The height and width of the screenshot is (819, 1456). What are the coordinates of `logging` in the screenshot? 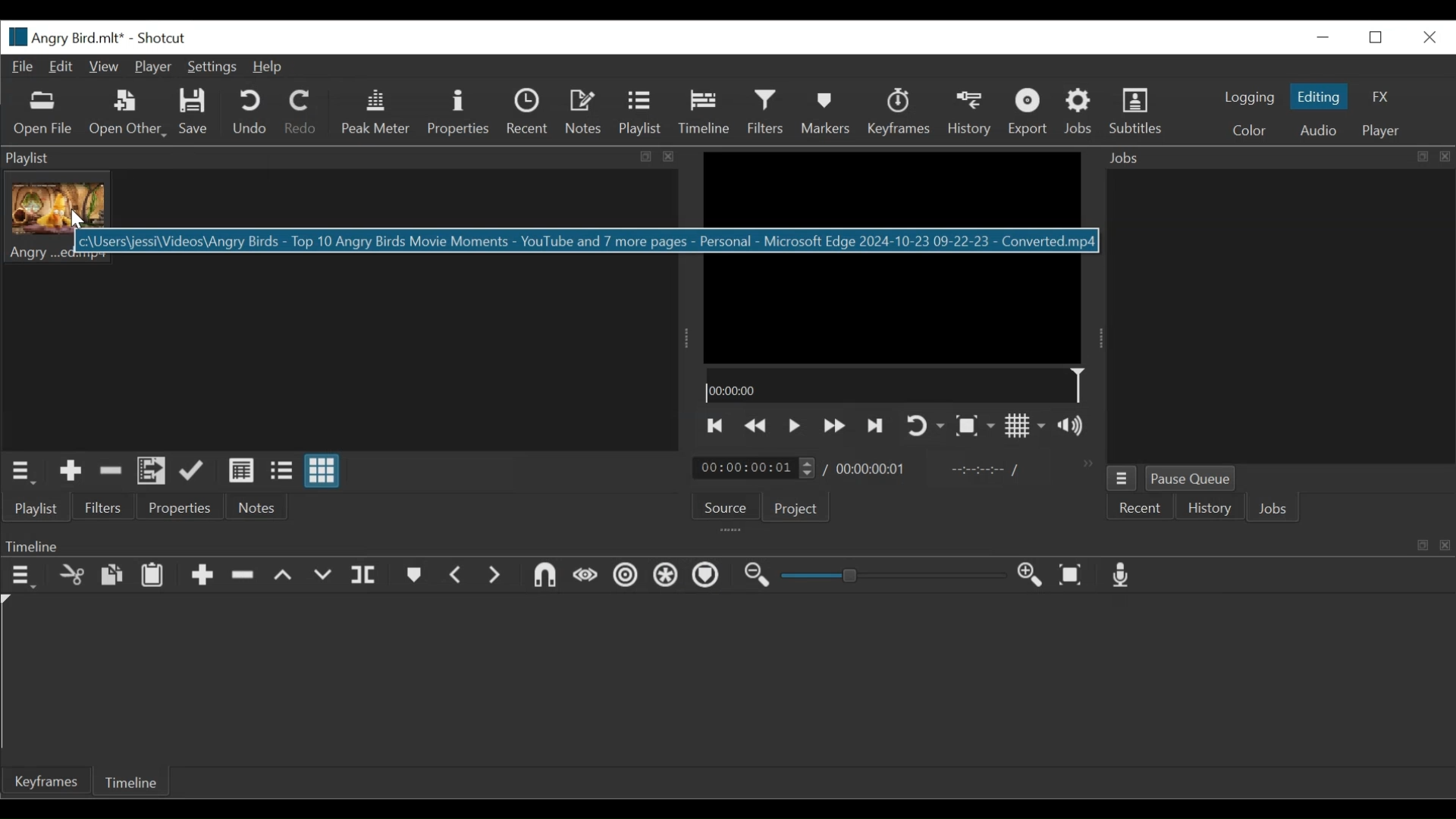 It's located at (1250, 99).